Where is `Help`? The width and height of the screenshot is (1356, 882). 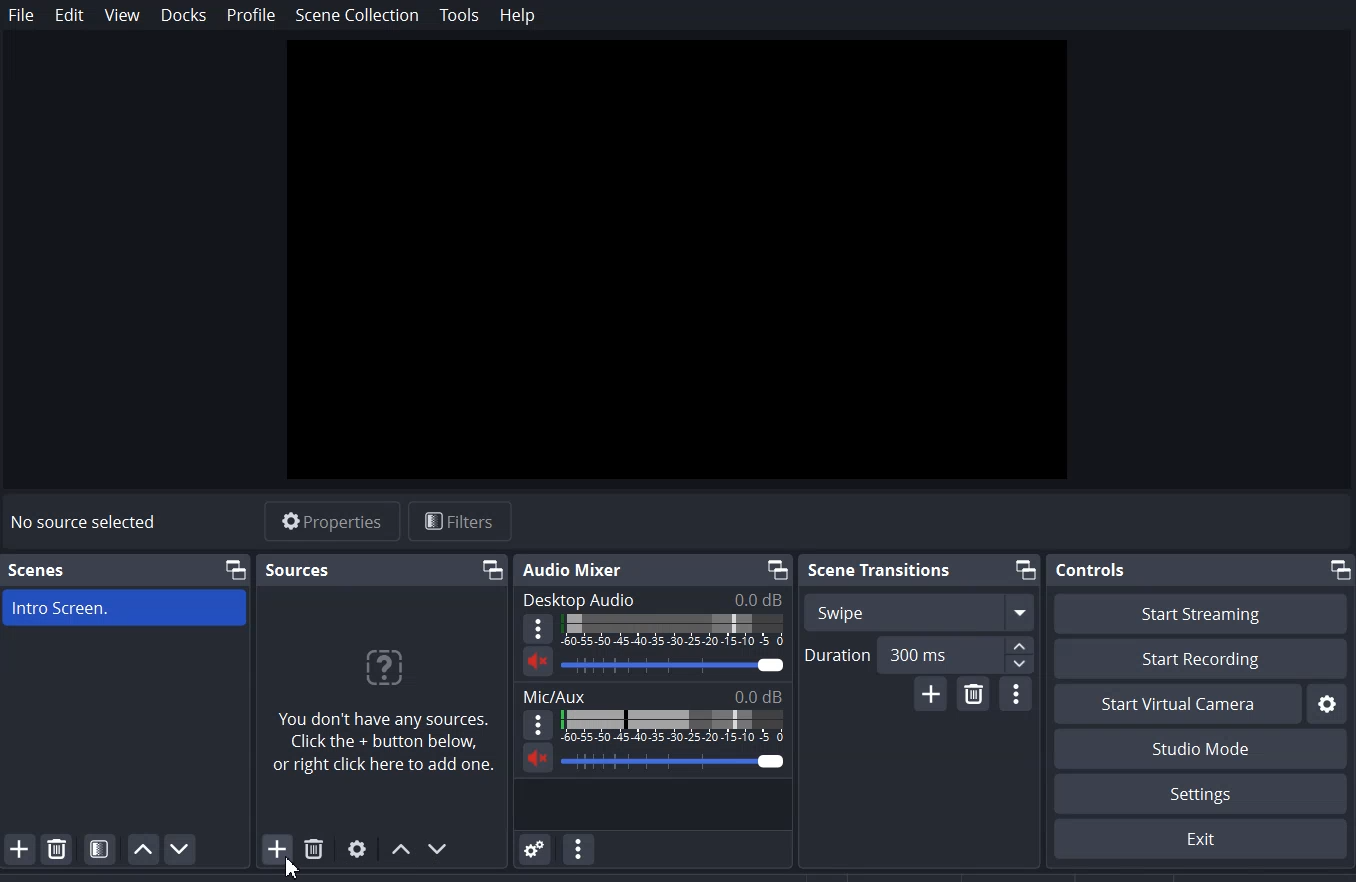
Help is located at coordinates (516, 16).